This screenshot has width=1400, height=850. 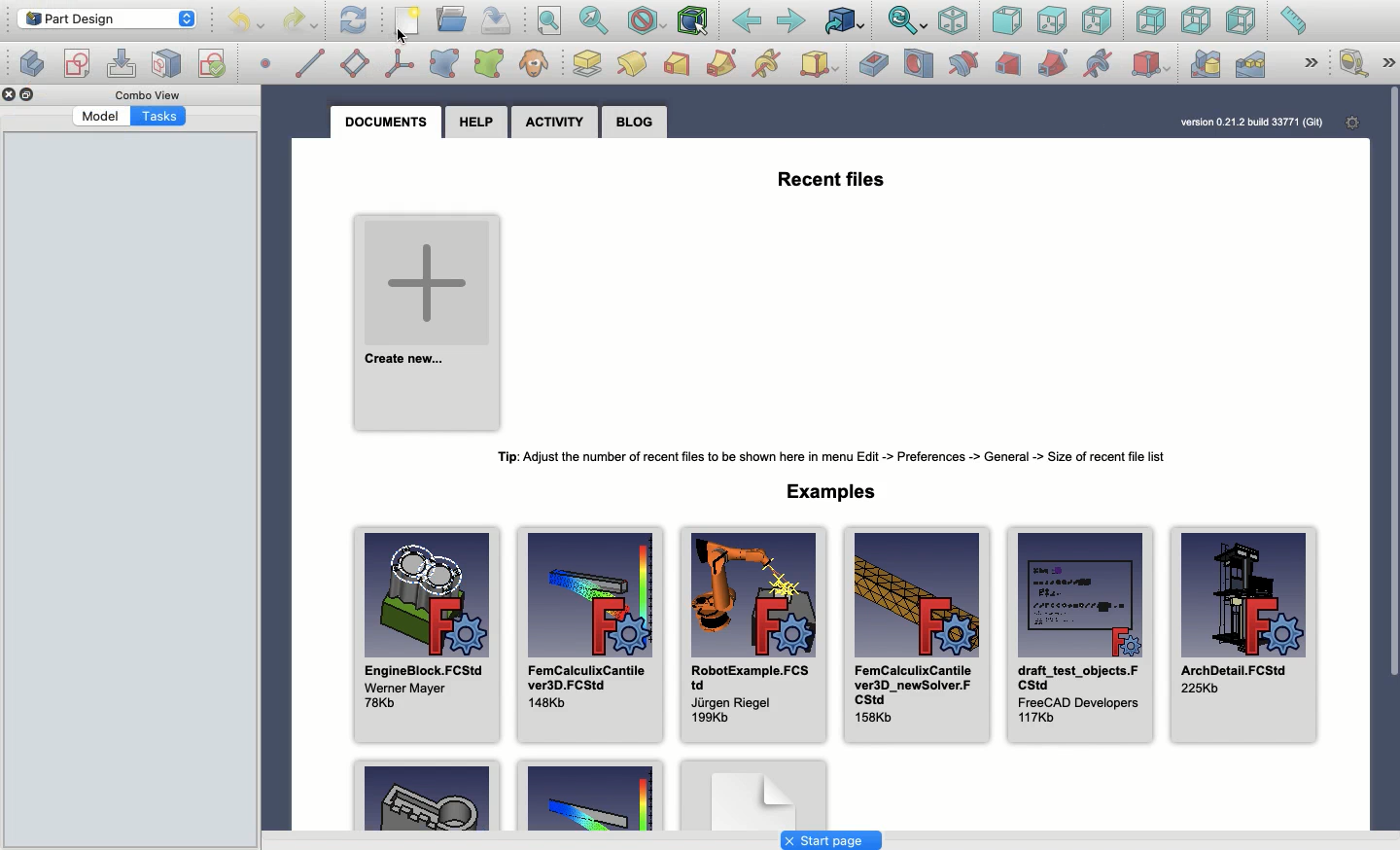 I want to click on Duplicate, so click(x=30, y=97).